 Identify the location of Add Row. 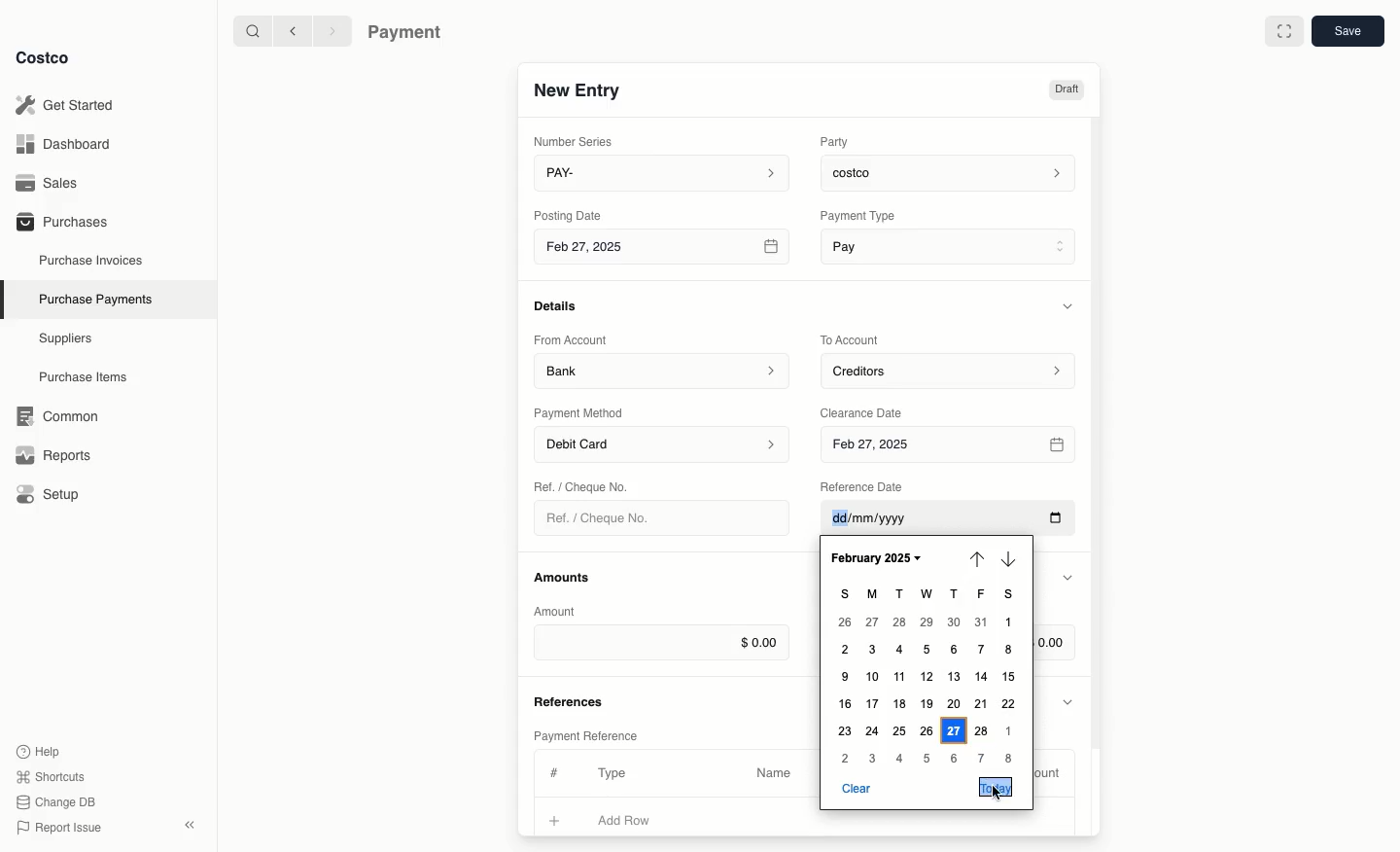
(637, 820).